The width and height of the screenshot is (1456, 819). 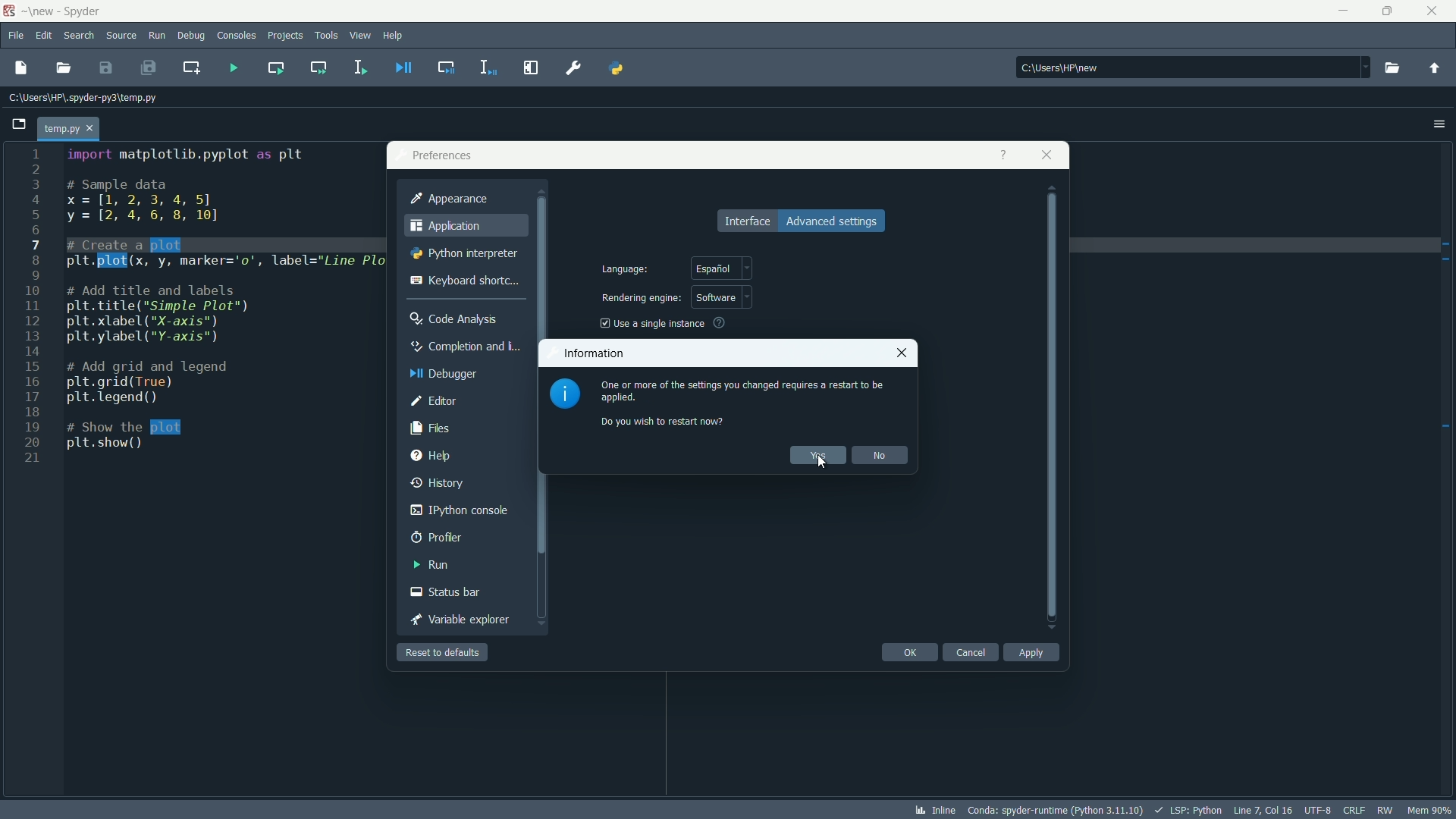 I want to click on tools, so click(x=327, y=36).